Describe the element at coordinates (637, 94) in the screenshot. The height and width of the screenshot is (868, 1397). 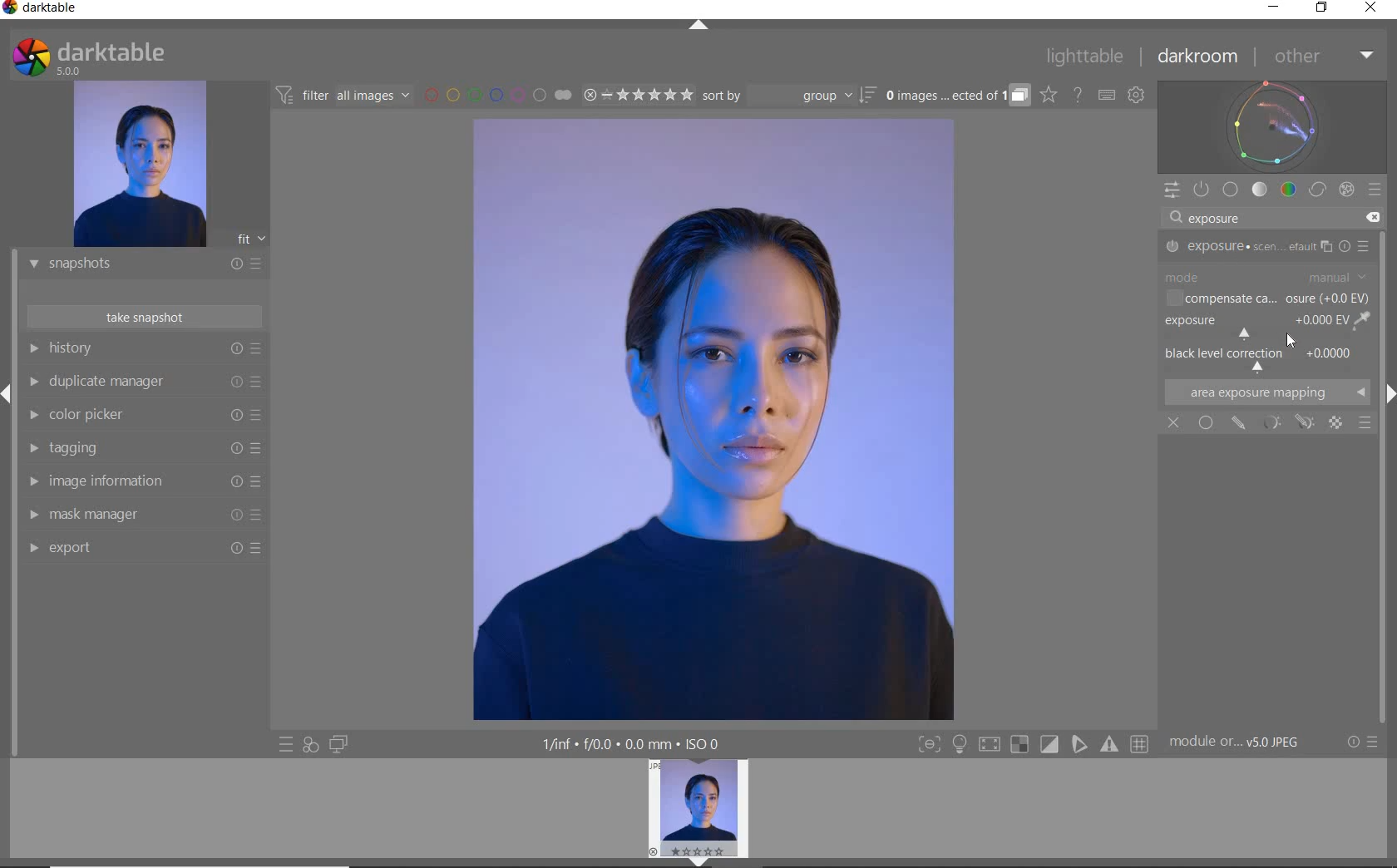
I see `RANGE RATING OF SELECTED IMAGES` at that location.